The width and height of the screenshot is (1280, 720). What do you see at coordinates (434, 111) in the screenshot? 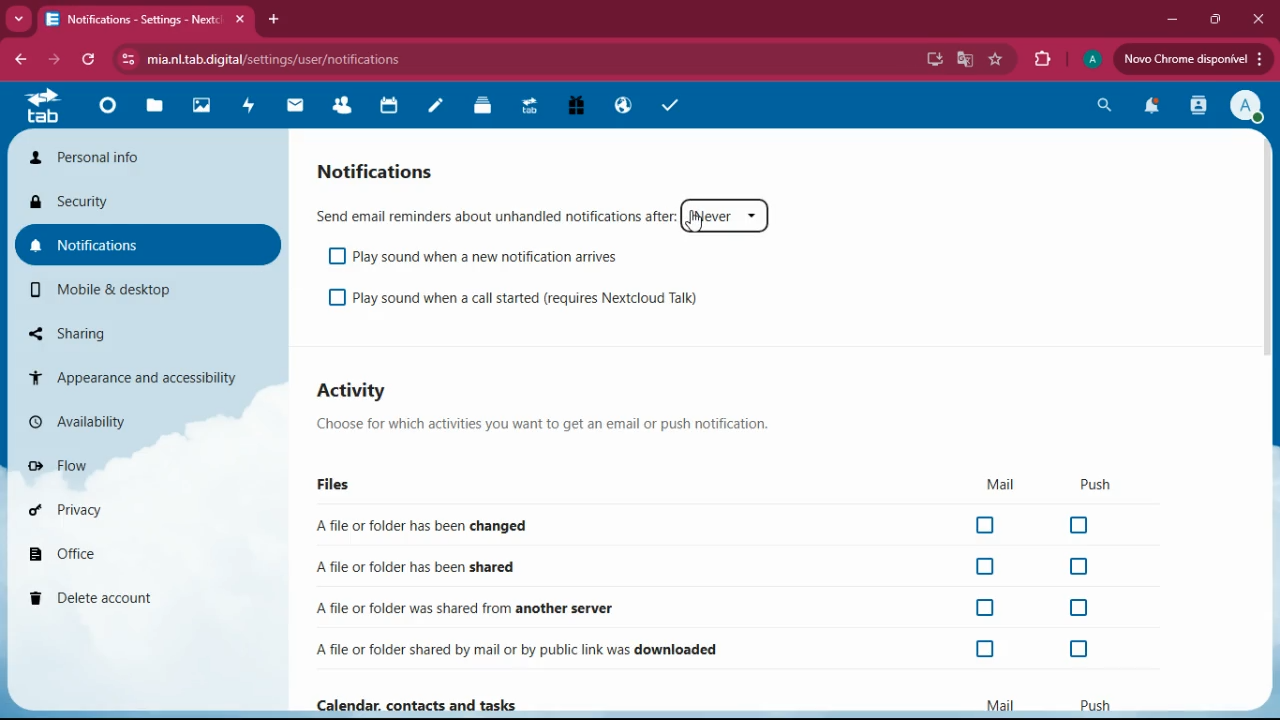
I see `notes` at bounding box center [434, 111].